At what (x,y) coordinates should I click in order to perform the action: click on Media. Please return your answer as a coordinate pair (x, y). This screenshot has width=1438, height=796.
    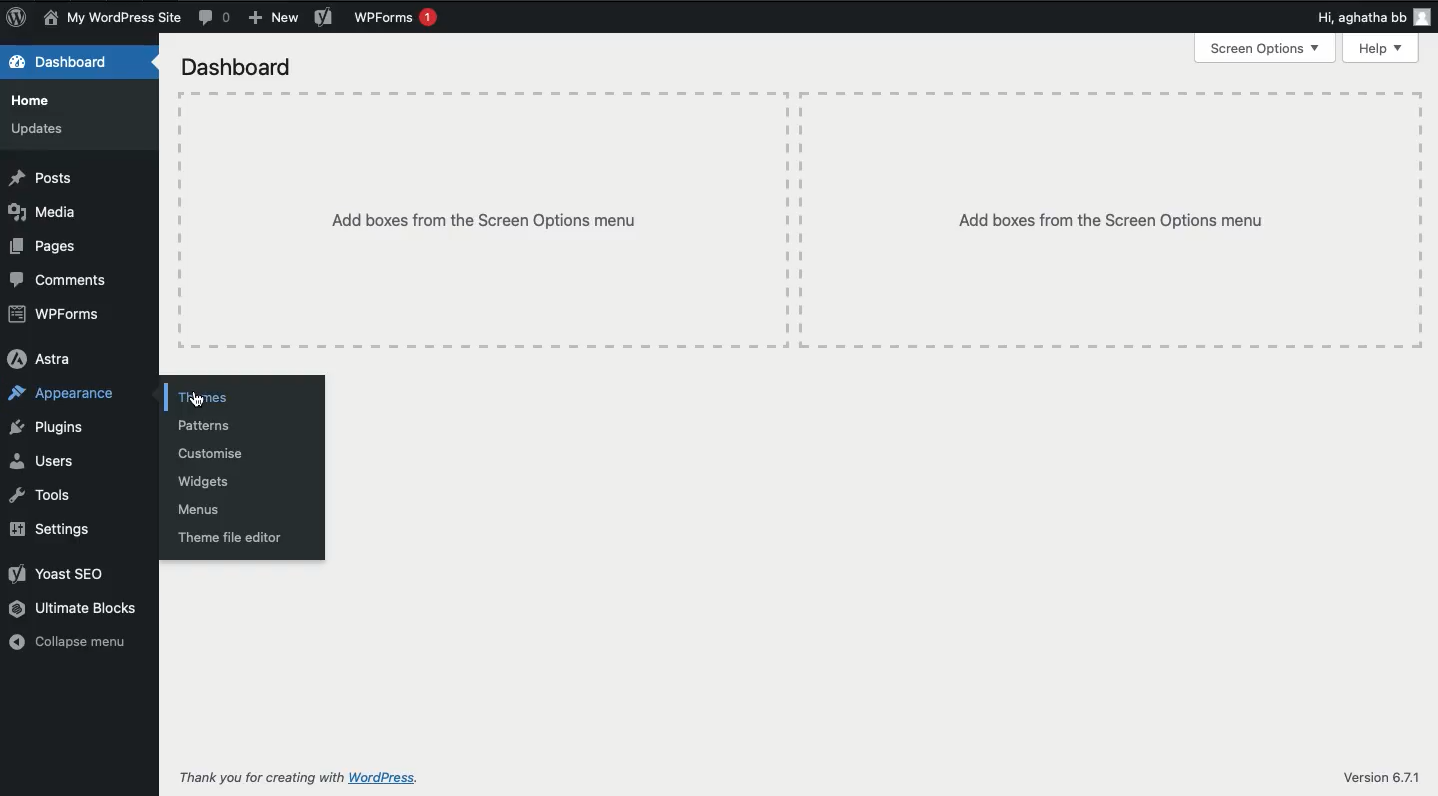
    Looking at the image, I should click on (44, 213).